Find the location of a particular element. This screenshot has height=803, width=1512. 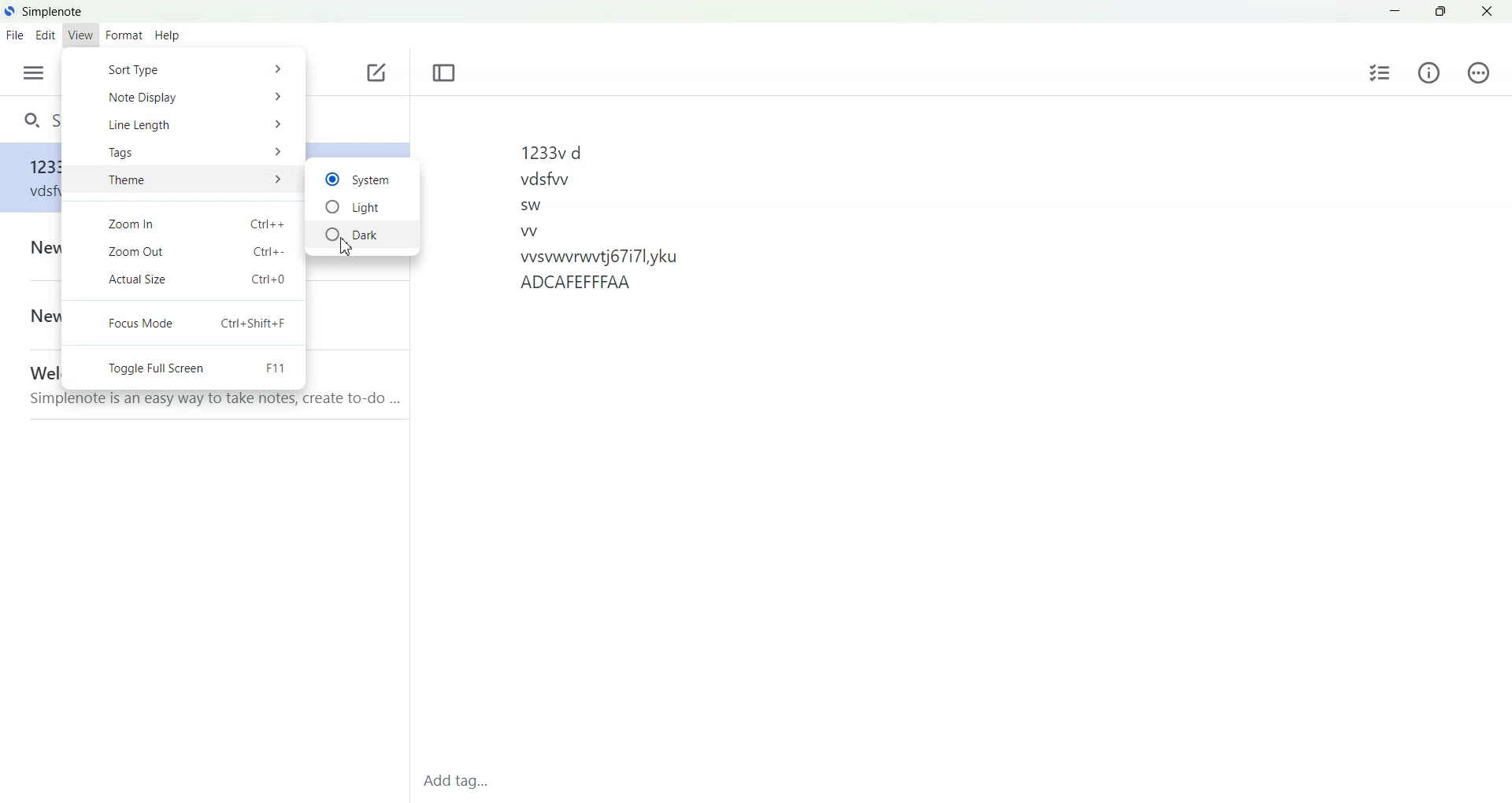

Help is located at coordinates (168, 36).